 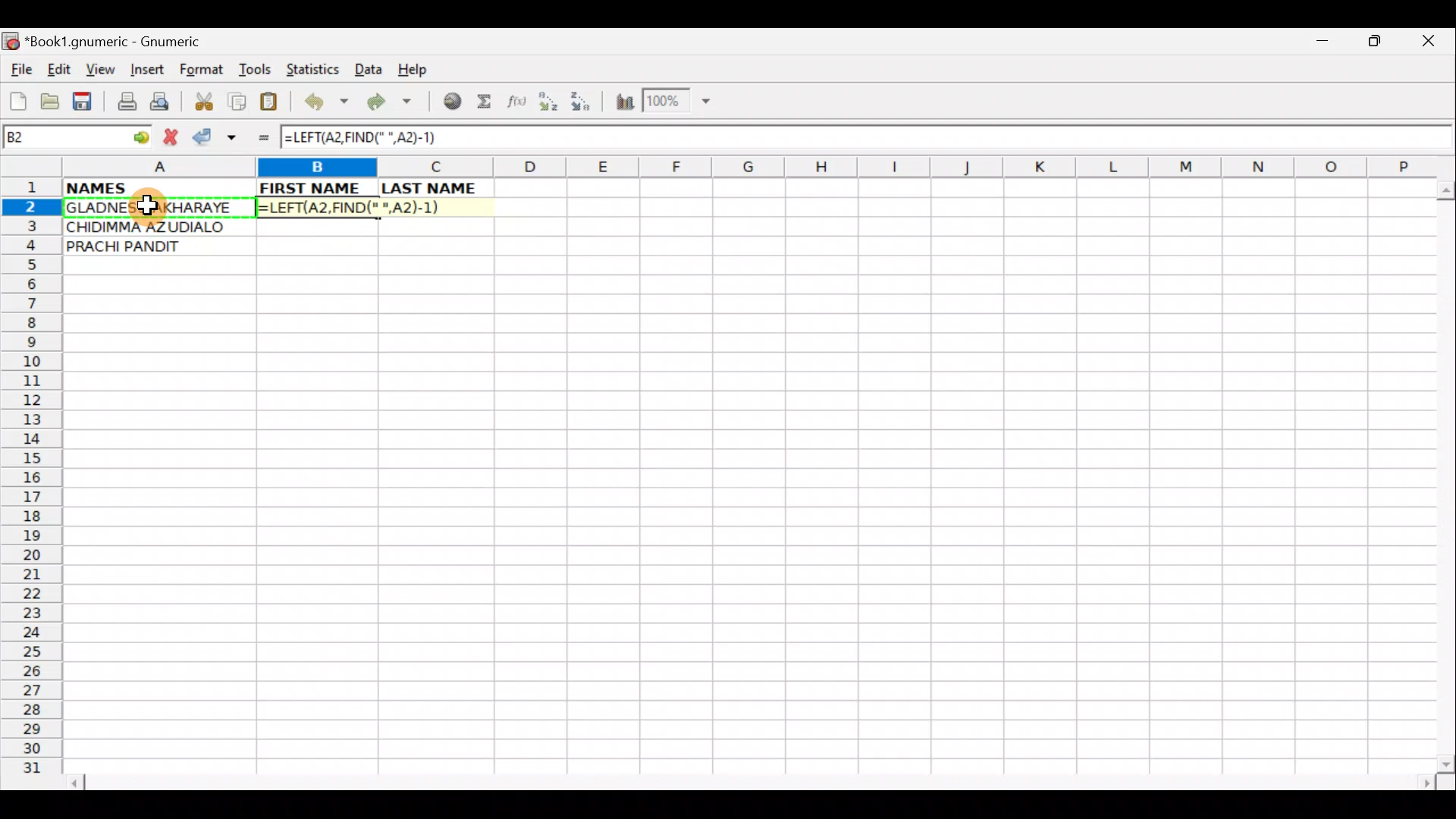 I want to click on Print file, so click(x=123, y=103).